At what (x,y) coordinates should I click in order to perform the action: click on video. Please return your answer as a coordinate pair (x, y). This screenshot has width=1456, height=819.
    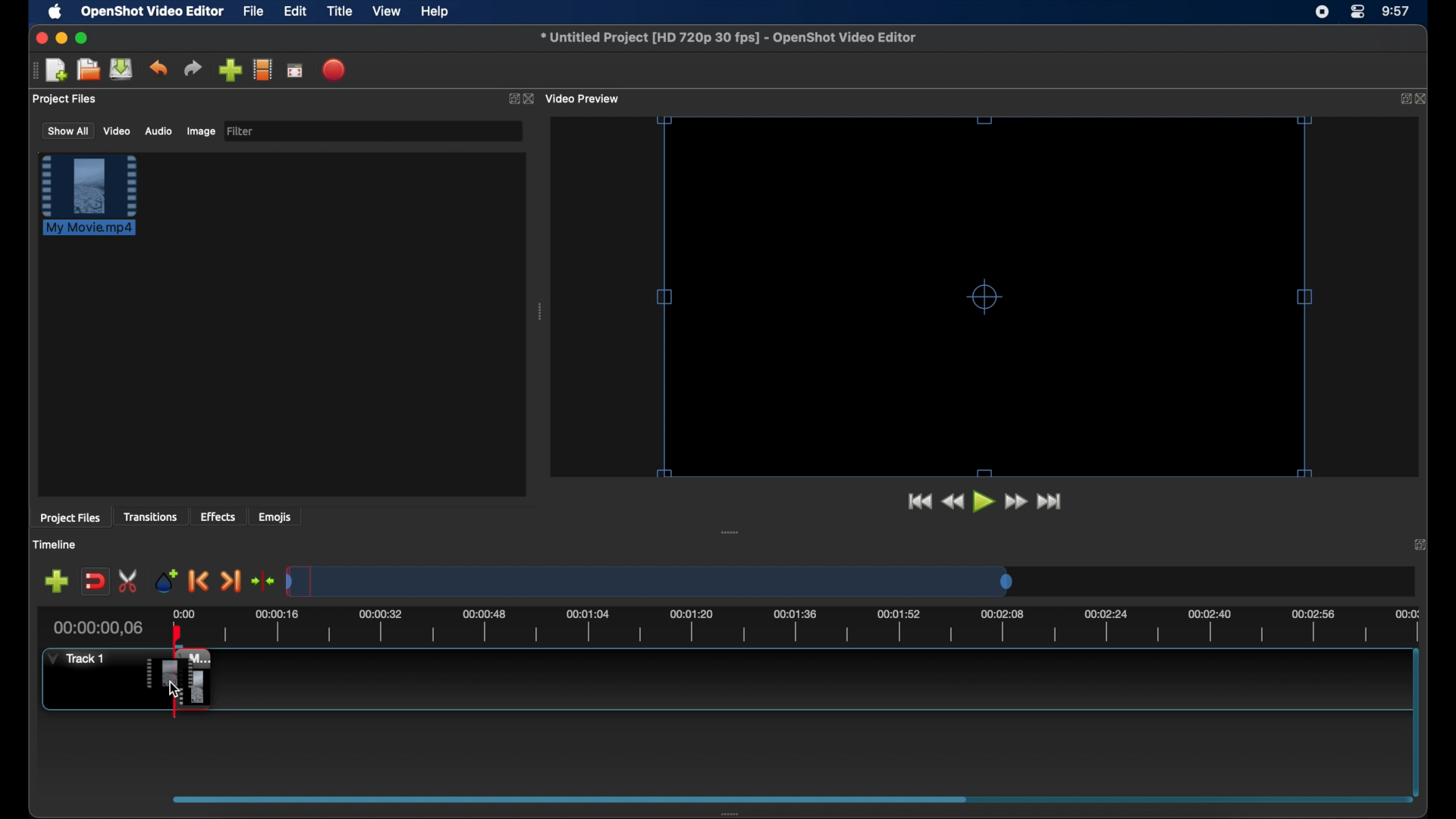
    Looking at the image, I should click on (118, 130).